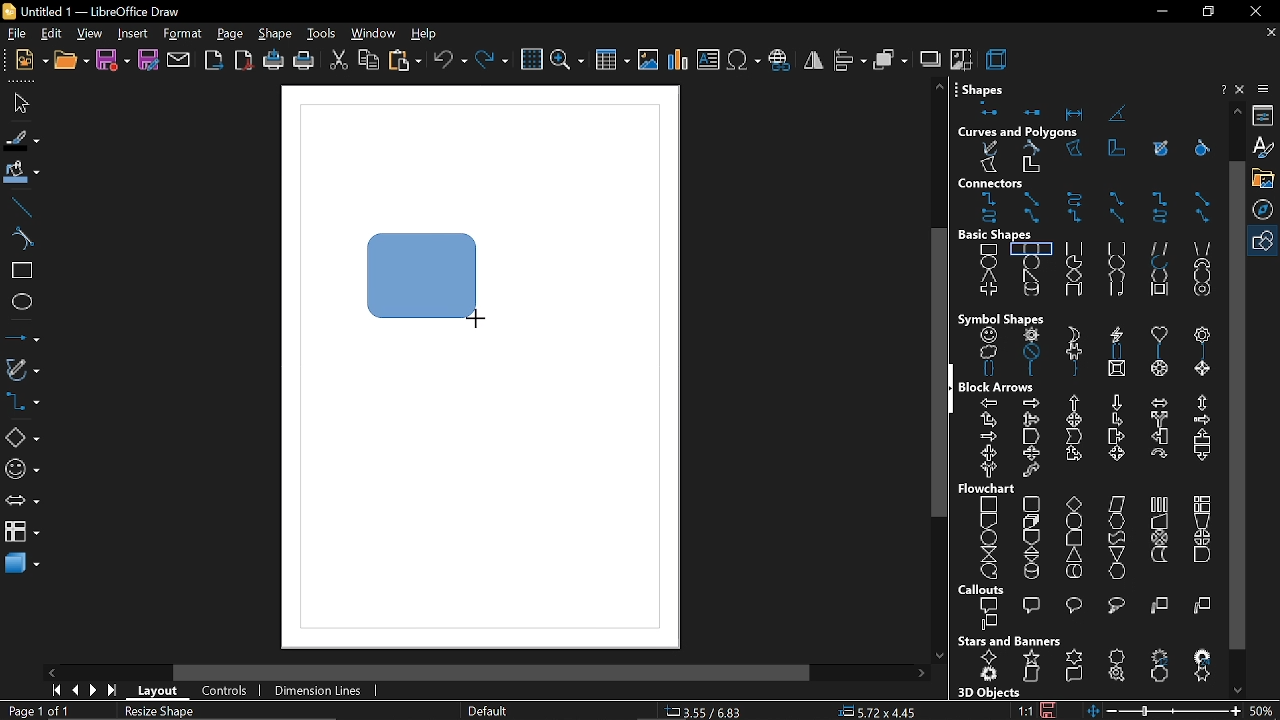 This screenshot has width=1280, height=720. I want to click on navigator, so click(1266, 211).